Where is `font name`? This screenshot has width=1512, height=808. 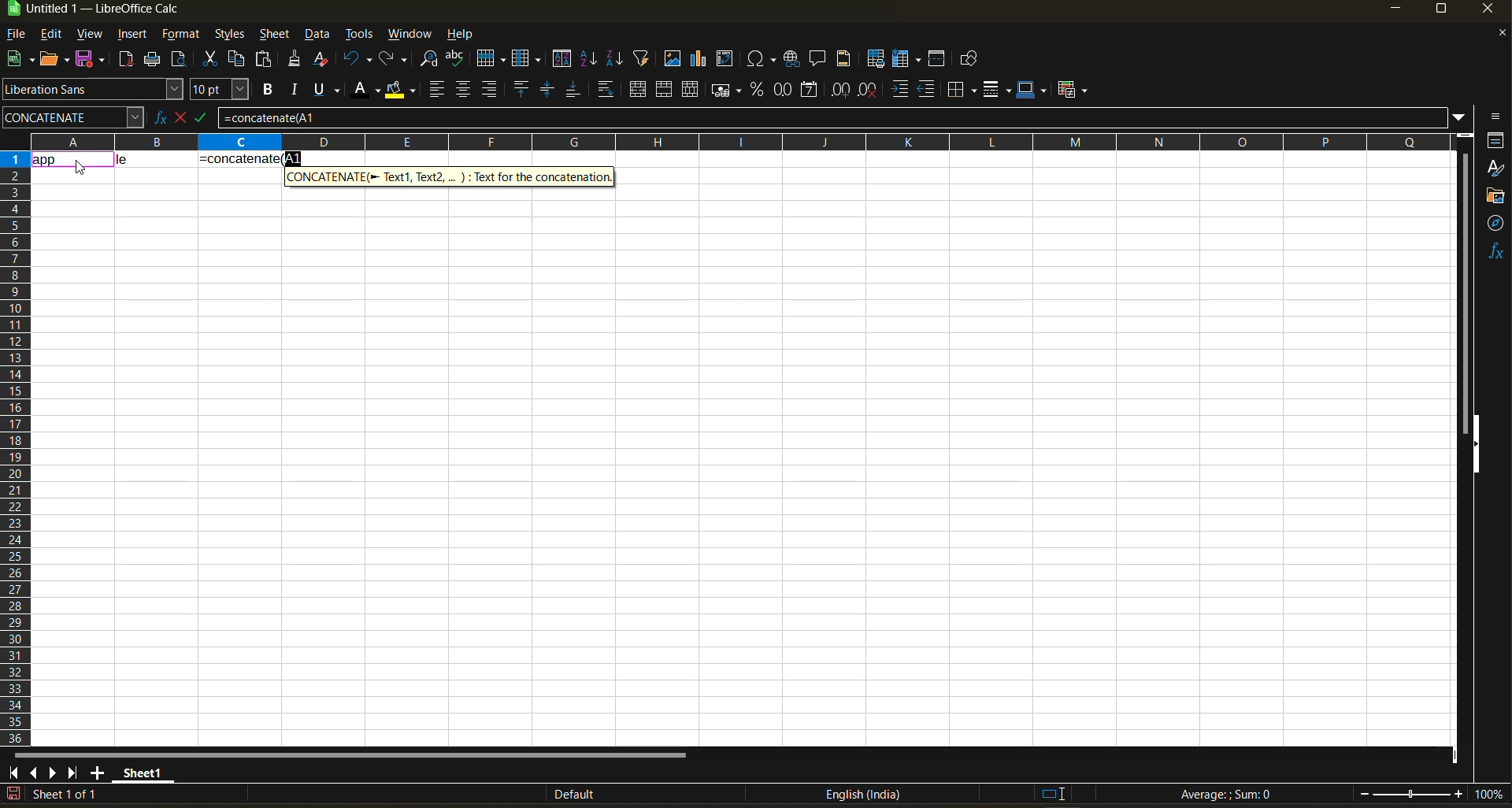 font name is located at coordinates (94, 90).